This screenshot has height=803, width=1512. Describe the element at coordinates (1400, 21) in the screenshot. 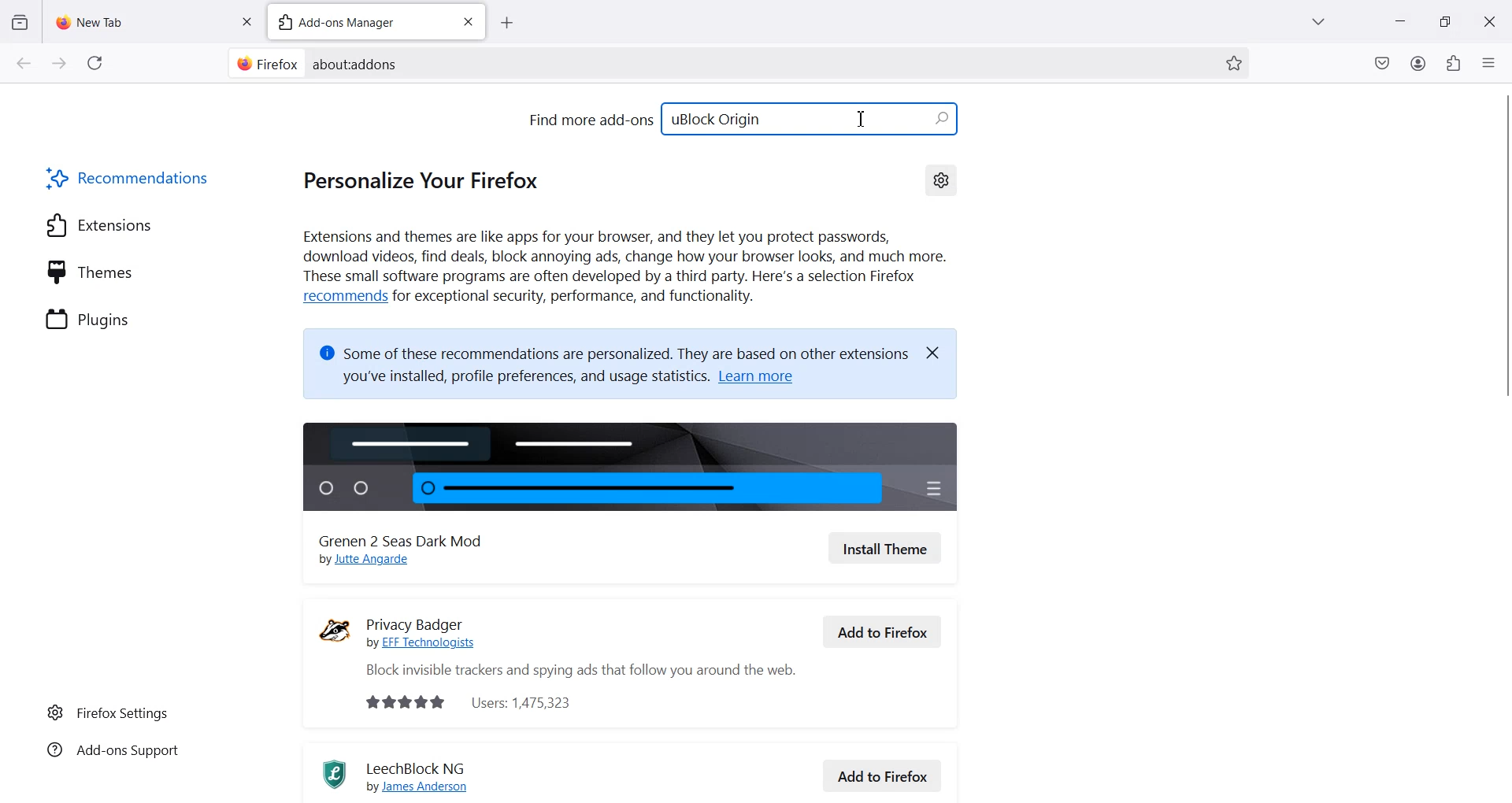

I see `Minimize` at that location.